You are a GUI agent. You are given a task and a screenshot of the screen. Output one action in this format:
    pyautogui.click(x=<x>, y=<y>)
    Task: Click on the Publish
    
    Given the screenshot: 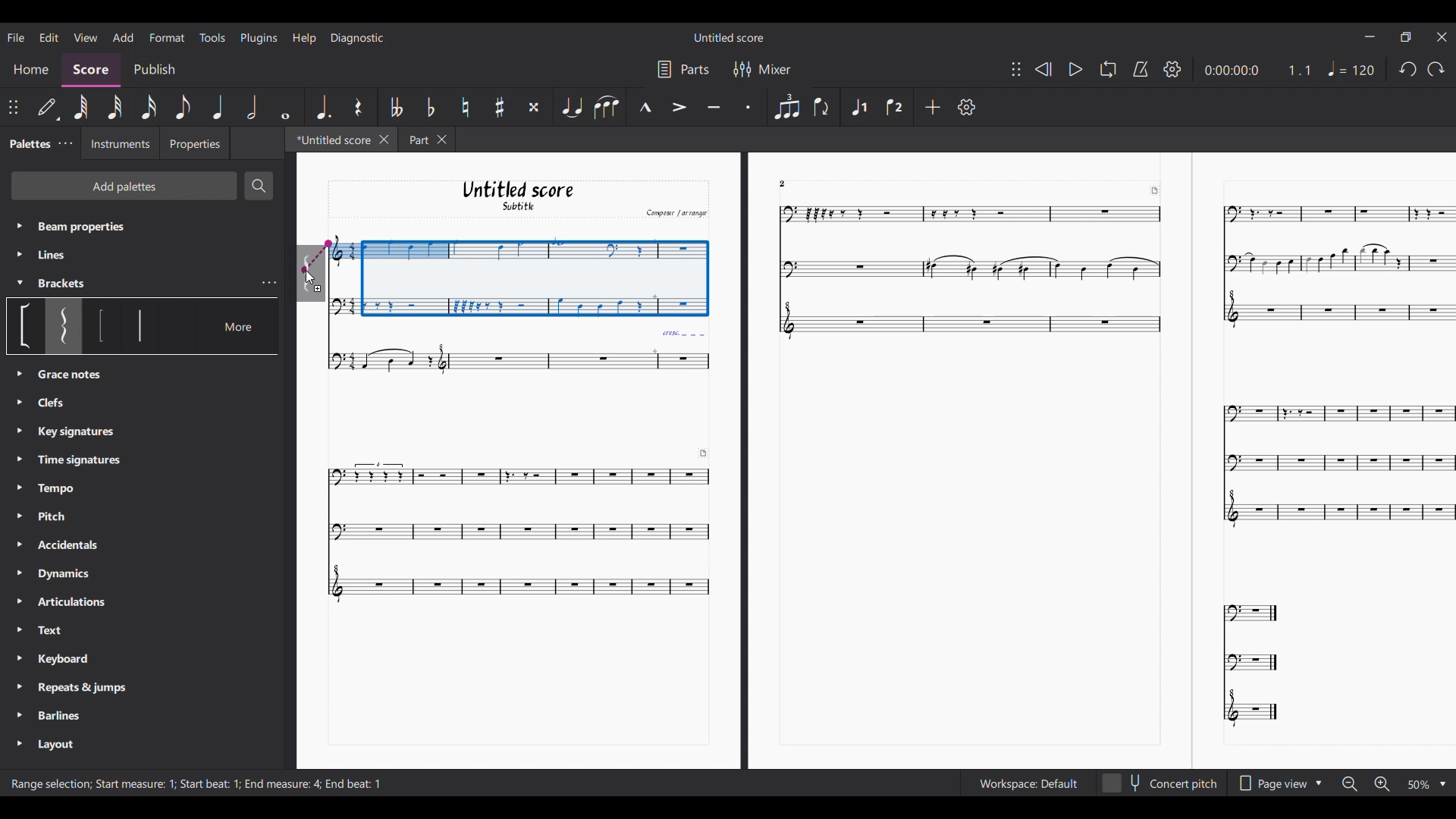 What is the action you would take?
    pyautogui.click(x=153, y=69)
    